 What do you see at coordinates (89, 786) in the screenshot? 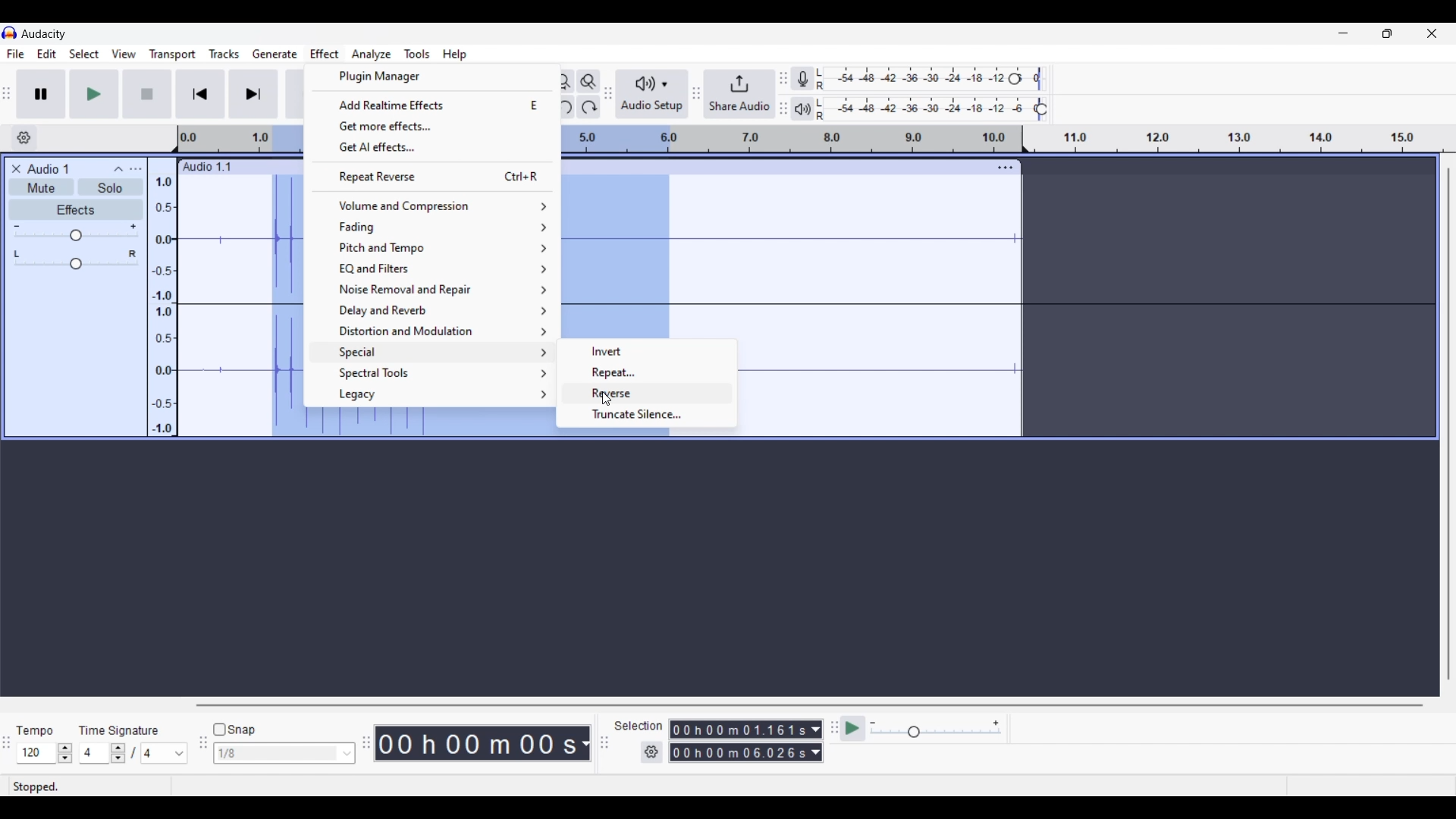
I see `Status of recording` at bounding box center [89, 786].